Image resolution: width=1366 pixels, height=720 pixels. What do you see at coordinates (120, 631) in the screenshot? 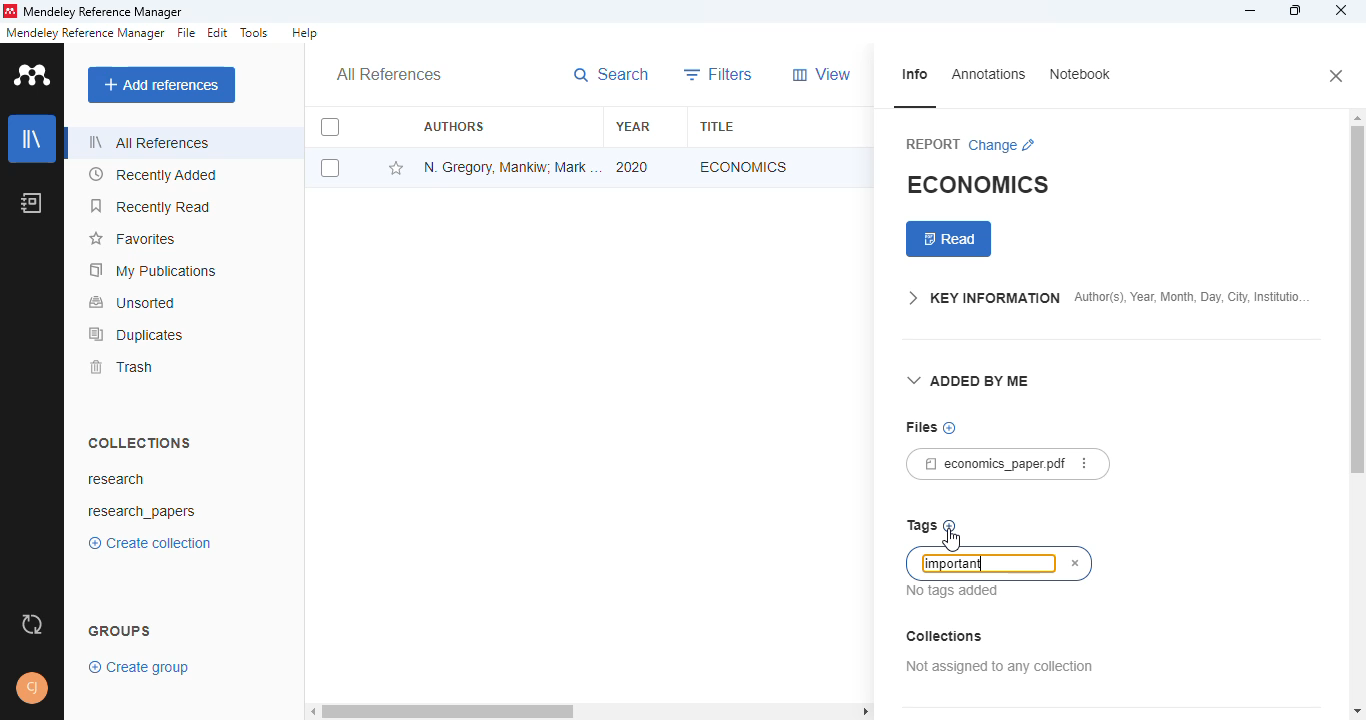
I see `groups` at bounding box center [120, 631].